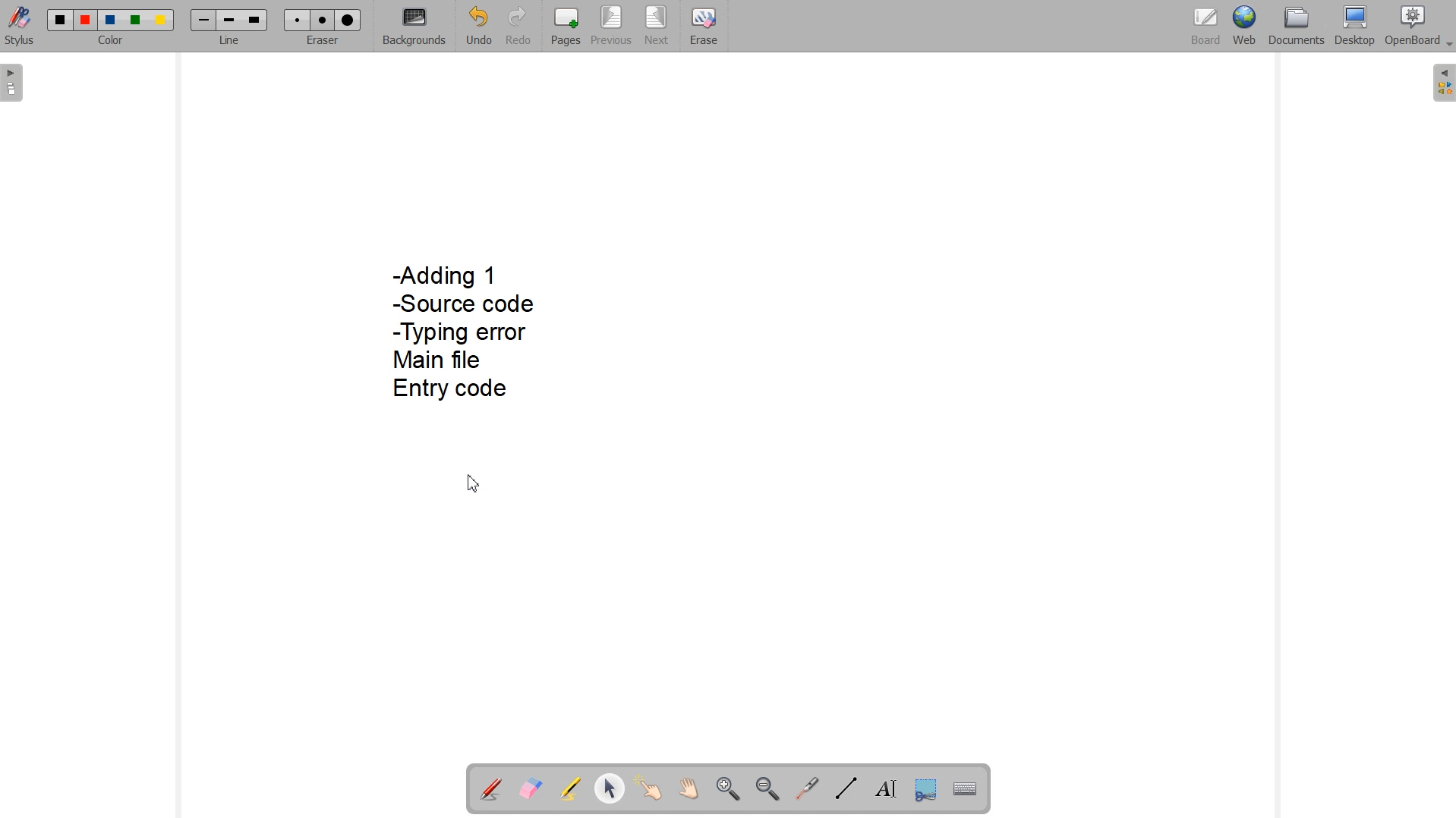 The height and width of the screenshot is (818, 1456). I want to click on Display virtual keyboard , so click(966, 787).